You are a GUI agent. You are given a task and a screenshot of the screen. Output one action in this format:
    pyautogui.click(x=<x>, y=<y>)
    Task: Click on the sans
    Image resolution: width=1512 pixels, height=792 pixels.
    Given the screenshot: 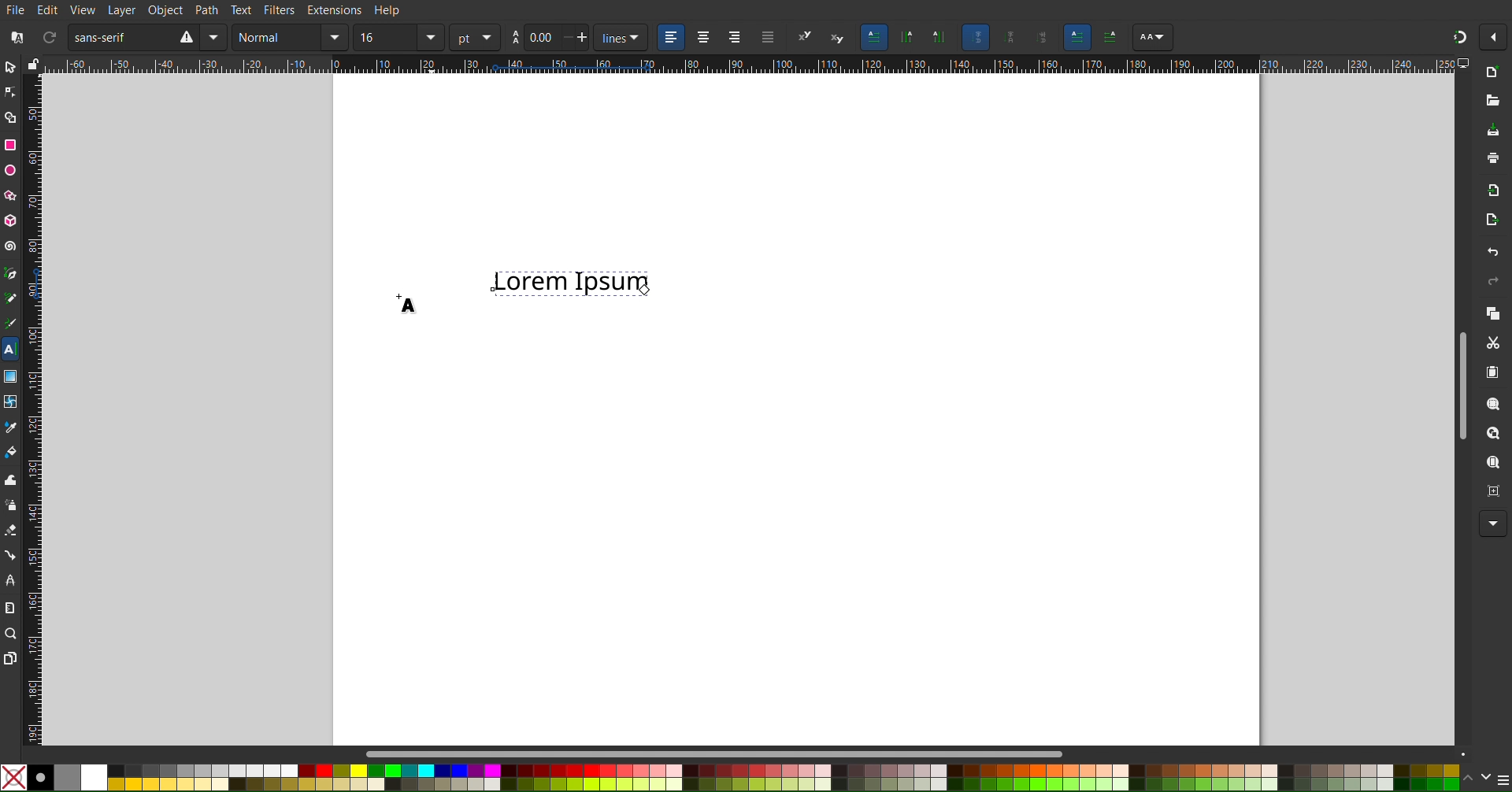 What is the action you would take?
    pyautogui.click(x=117, y=36)
    